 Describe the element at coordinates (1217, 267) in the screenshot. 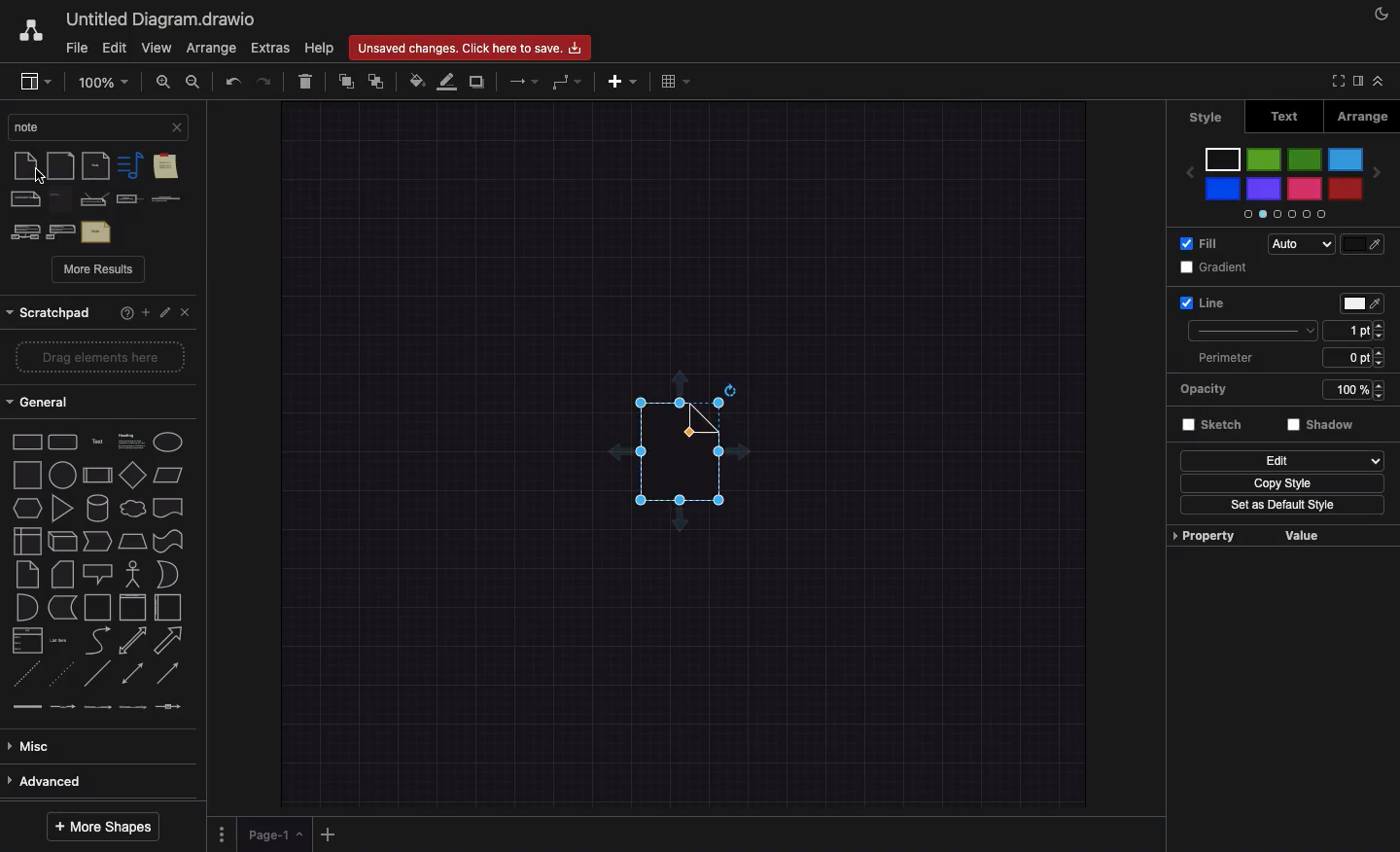

I see `Gradient` at that location.